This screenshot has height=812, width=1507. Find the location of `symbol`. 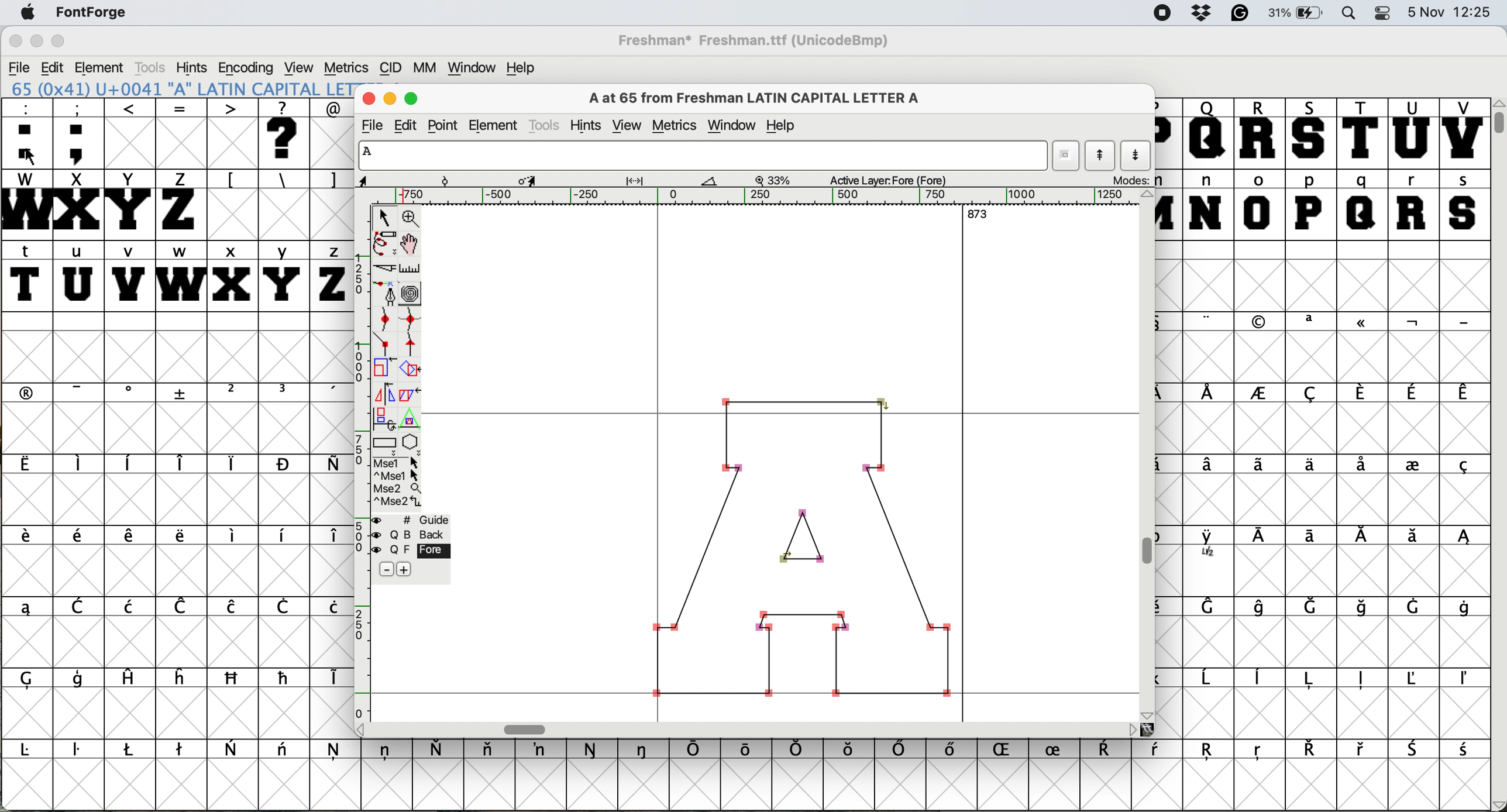

symbol is located at coordinates (1210, 753).